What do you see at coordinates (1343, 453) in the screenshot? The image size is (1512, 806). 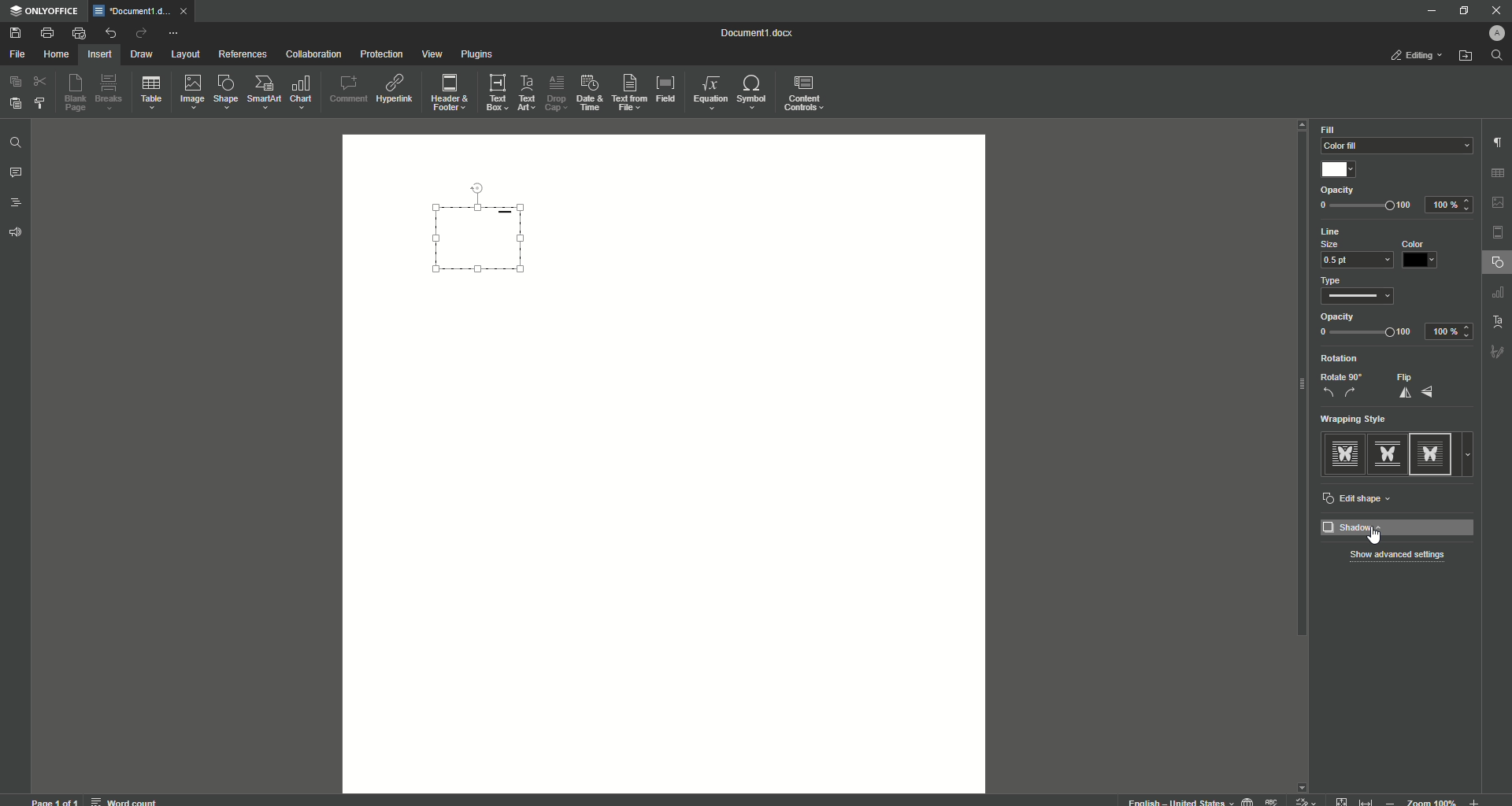 I see `style 1` at bounding box center [1343, 453].